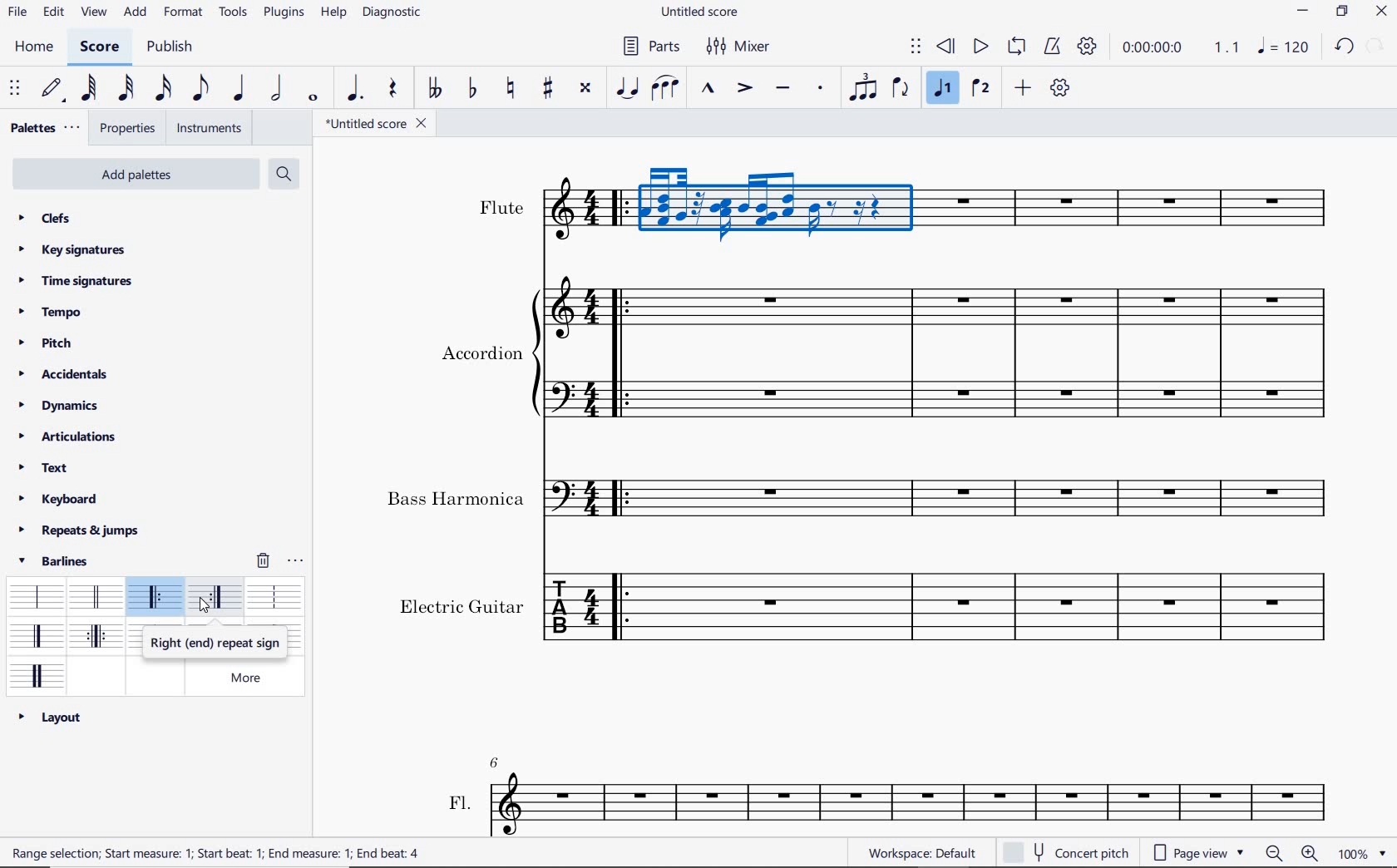  I want to click on text, so click(456, 499).